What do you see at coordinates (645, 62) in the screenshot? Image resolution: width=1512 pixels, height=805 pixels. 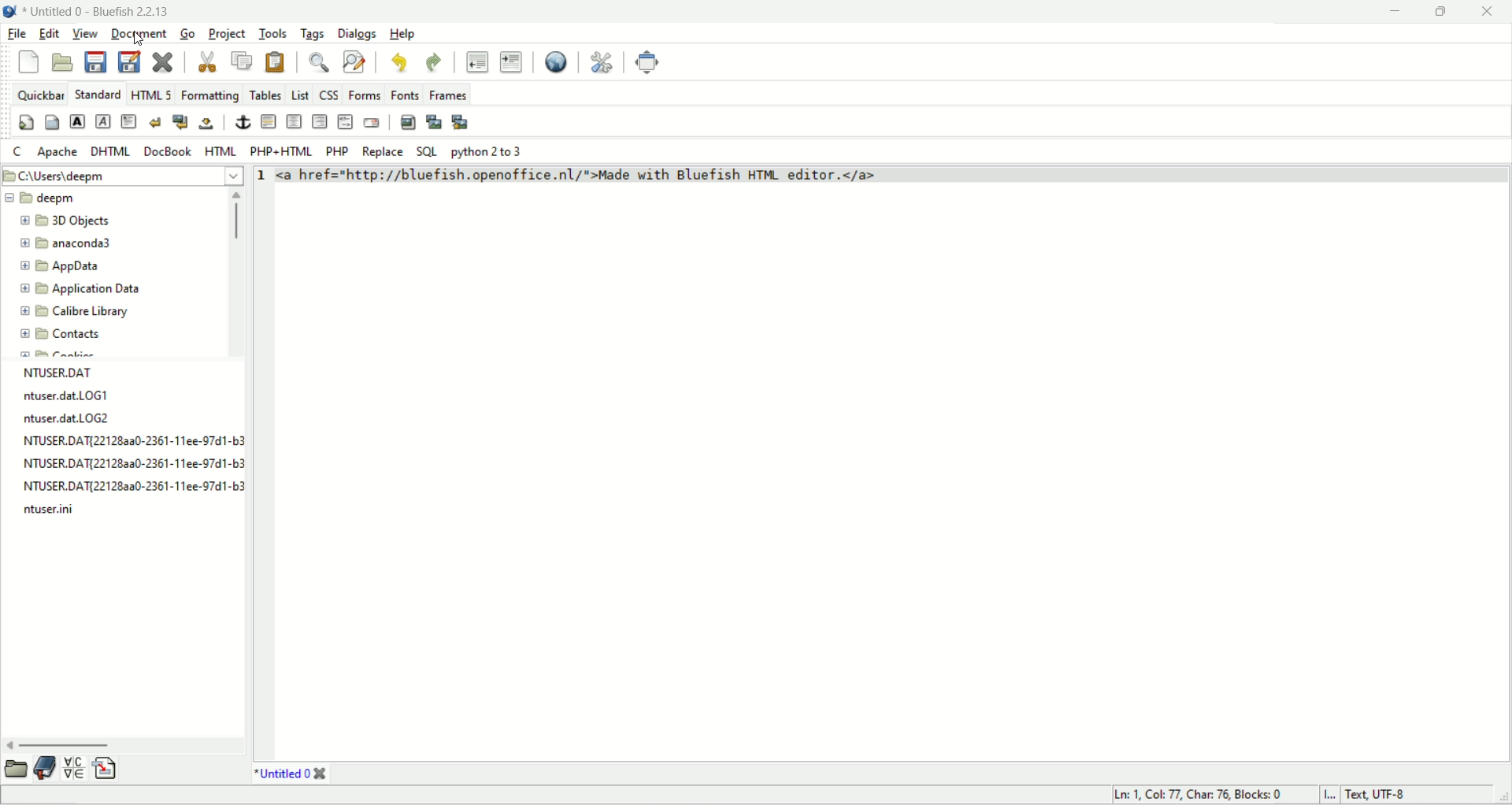 I see `fullscreen` at bounding box center [645, 62].